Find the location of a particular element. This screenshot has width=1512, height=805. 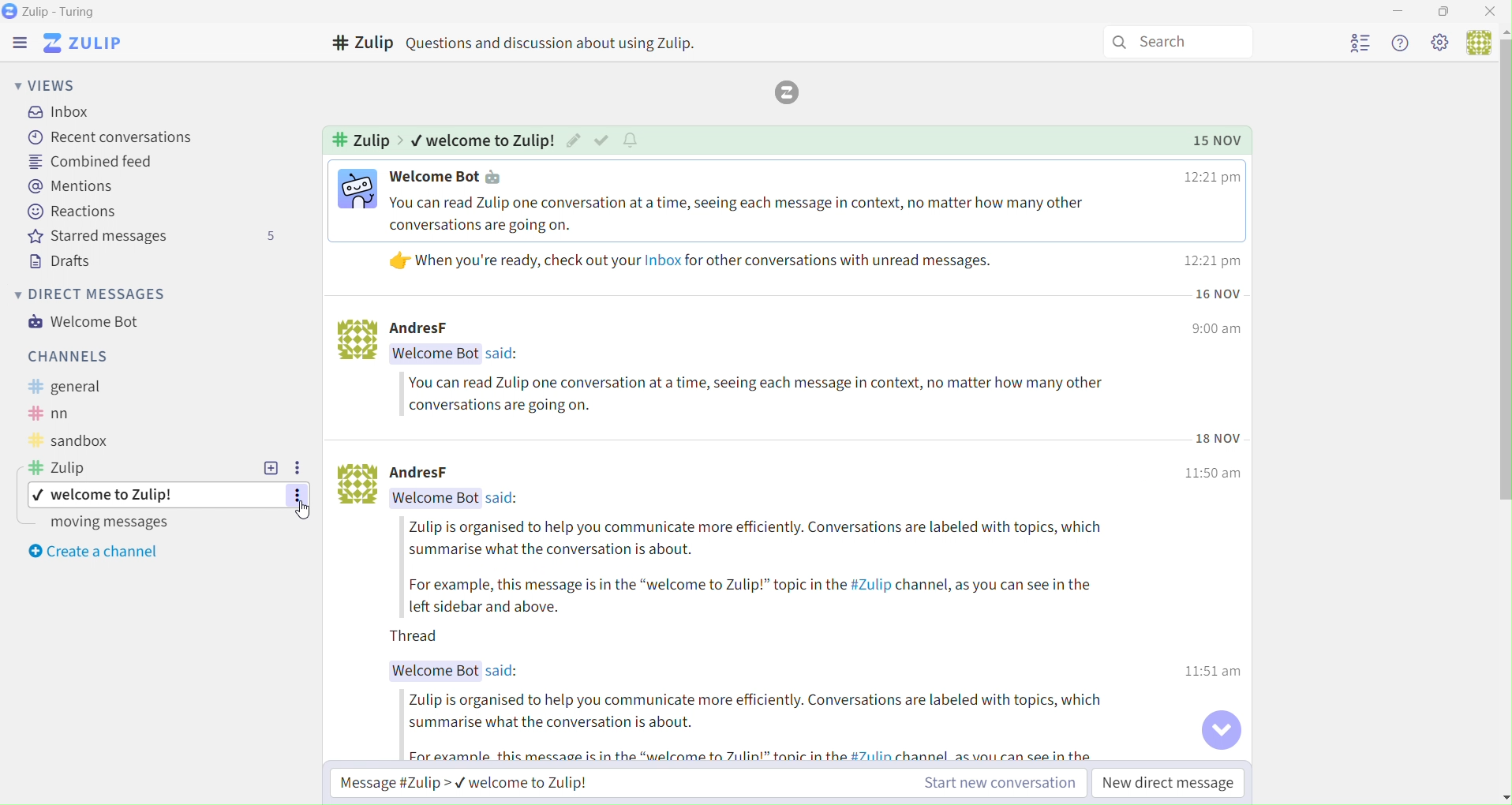

Text is located at coordinates (758, 395).